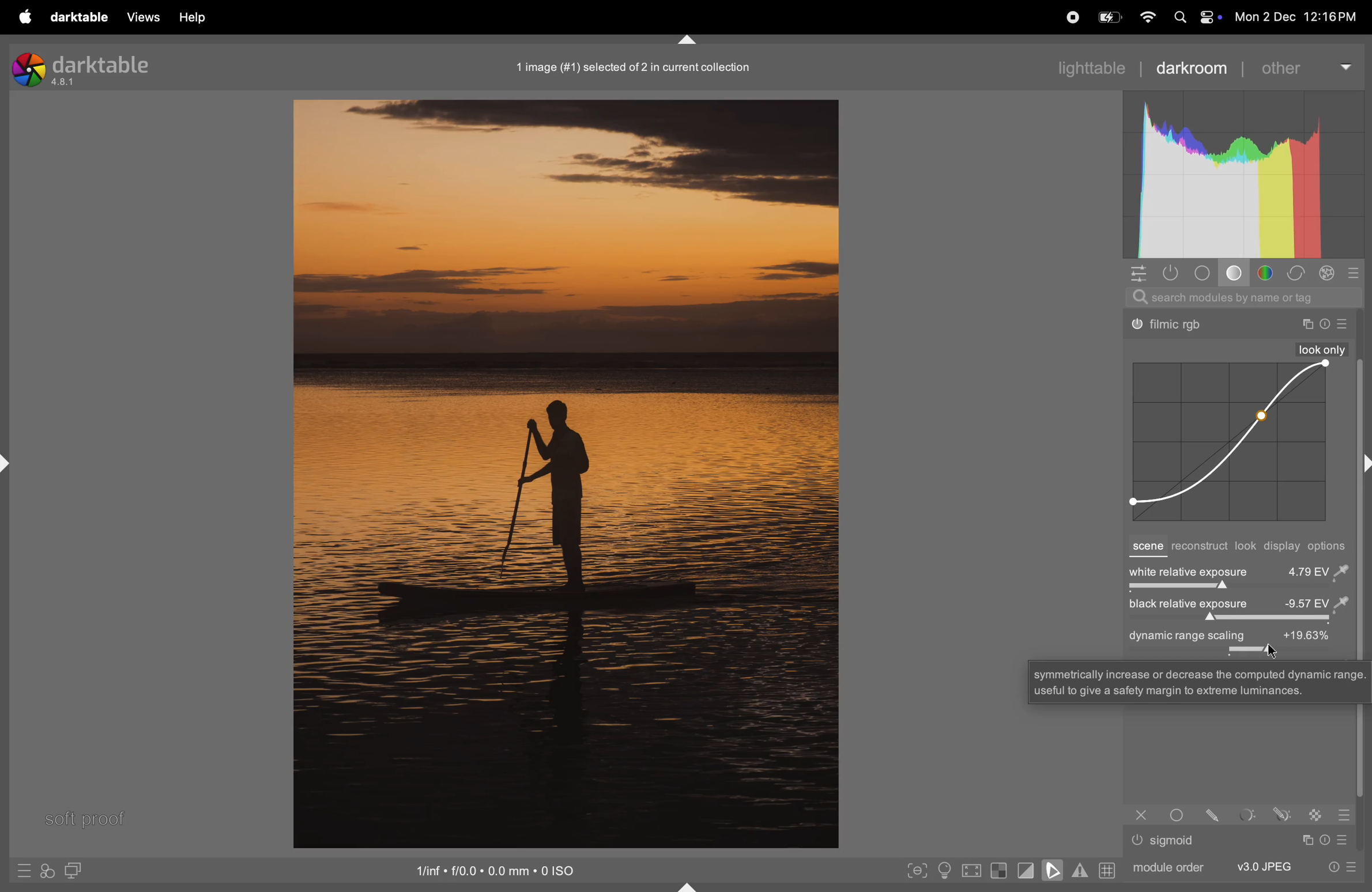 This screenshot has height=892, width=1372. Describe the element at coordinates (1106, 870) in the screenshot. I see `grid` at that location.